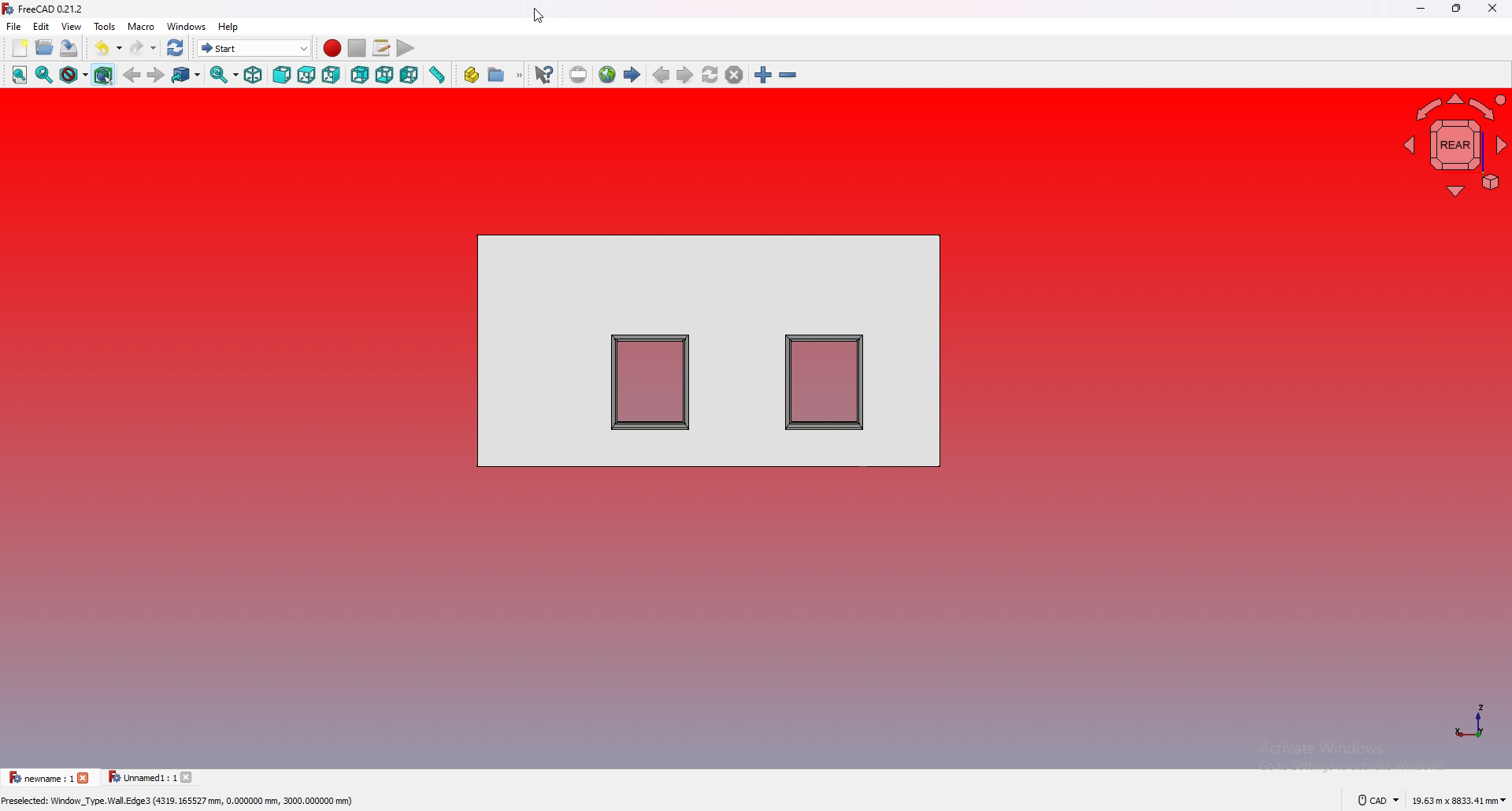 The height and width of the screenshot is (811, 1512). I want to click on macros, so click(381, 48).